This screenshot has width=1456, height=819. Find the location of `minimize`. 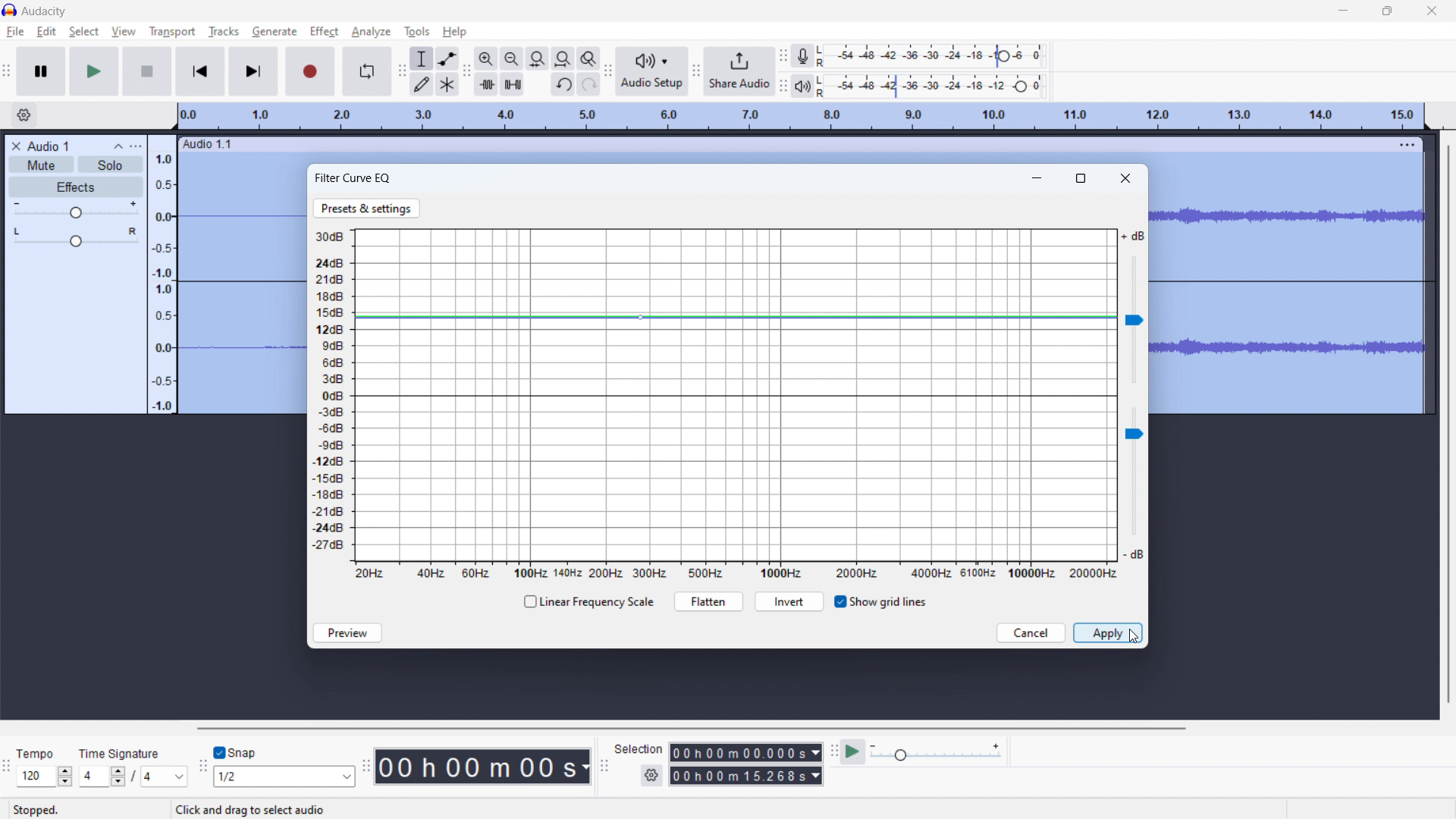

minimize is located at coordinates (1039, 176).